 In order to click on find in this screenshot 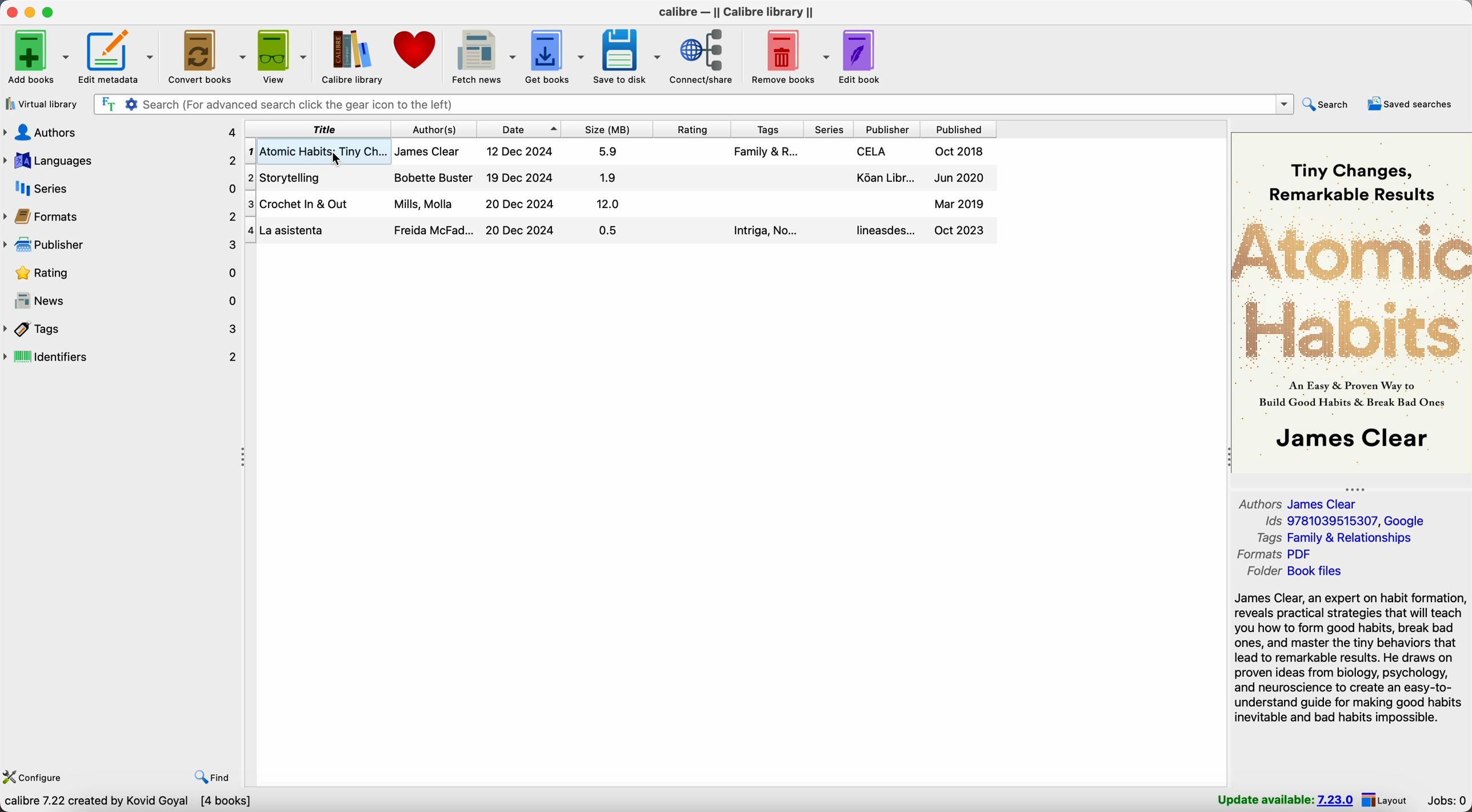, I will do `click(209, 776)`.